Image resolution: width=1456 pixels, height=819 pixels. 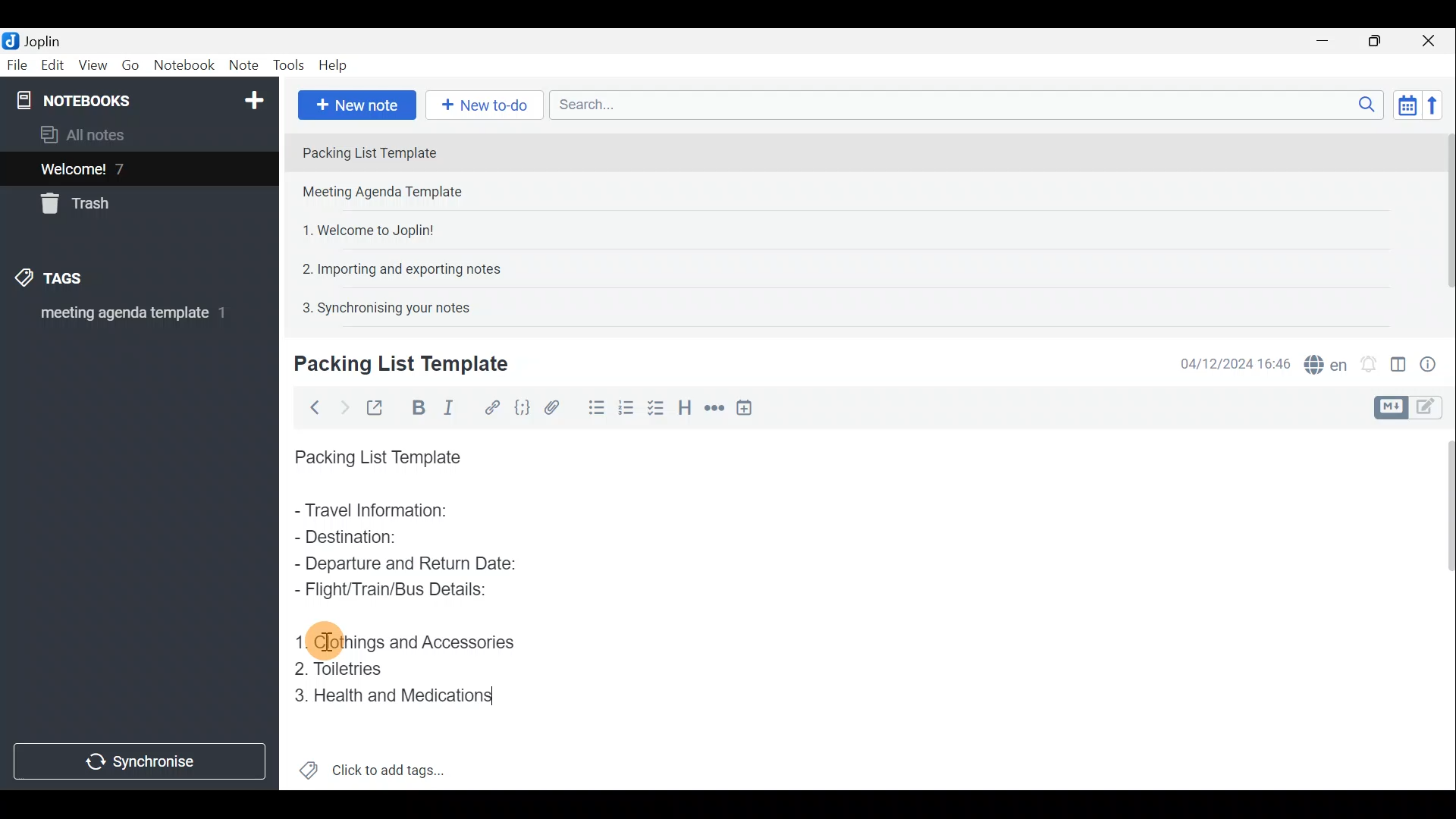 I want to click on Tags, so click(x=74, y=281).